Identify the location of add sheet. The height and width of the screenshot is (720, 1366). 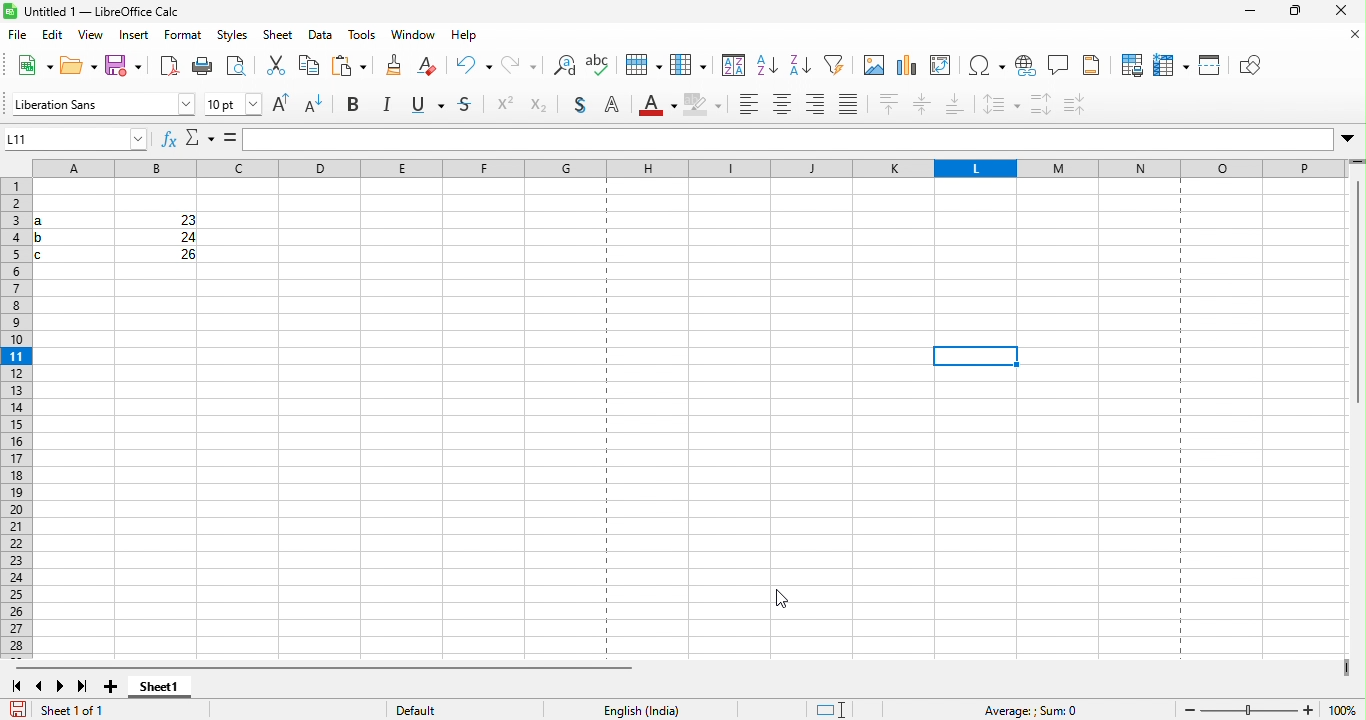
(113, 681).